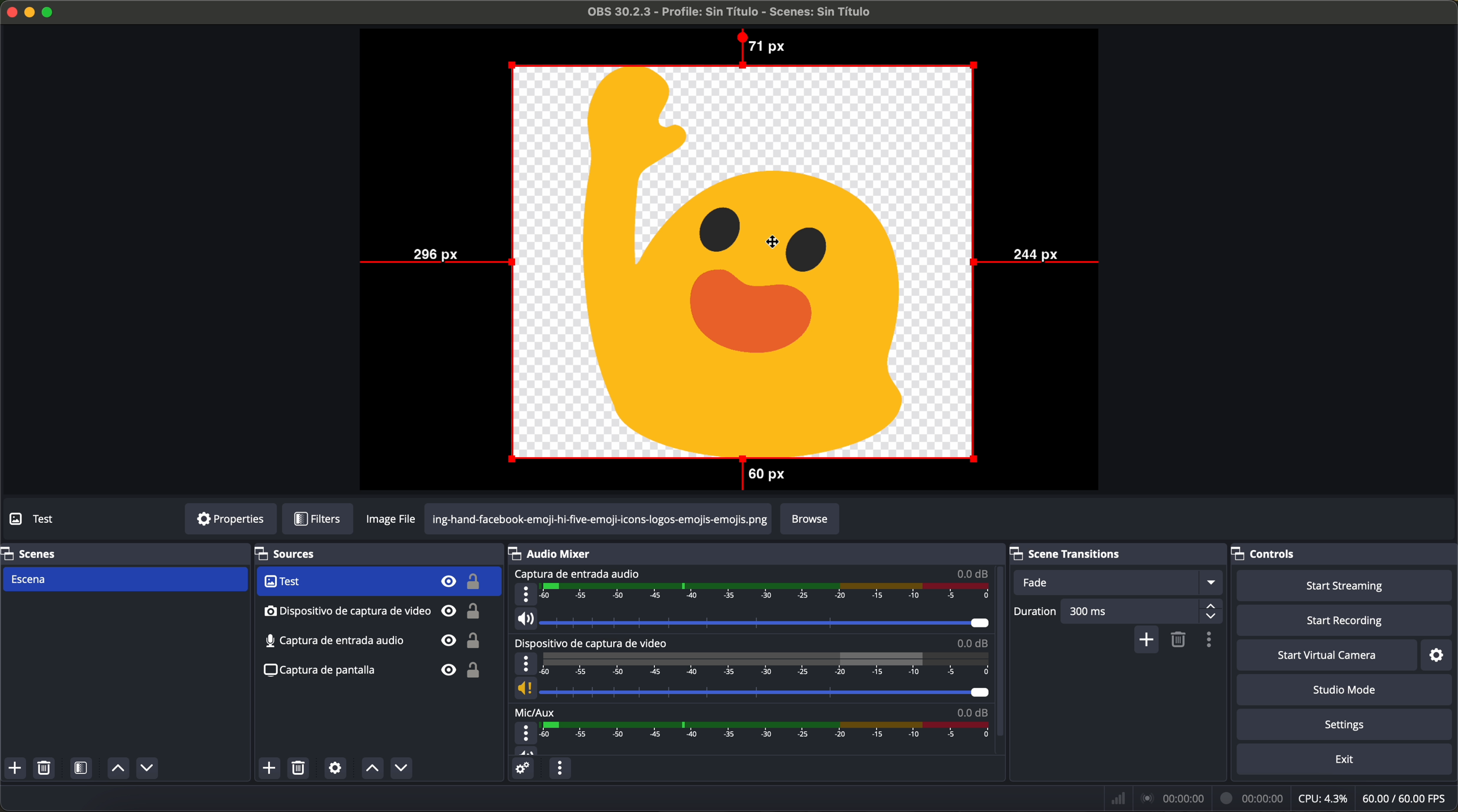 The width and height of the screenshot is (1458, 812). I want to click on remove selected scene, so click(44, 768).